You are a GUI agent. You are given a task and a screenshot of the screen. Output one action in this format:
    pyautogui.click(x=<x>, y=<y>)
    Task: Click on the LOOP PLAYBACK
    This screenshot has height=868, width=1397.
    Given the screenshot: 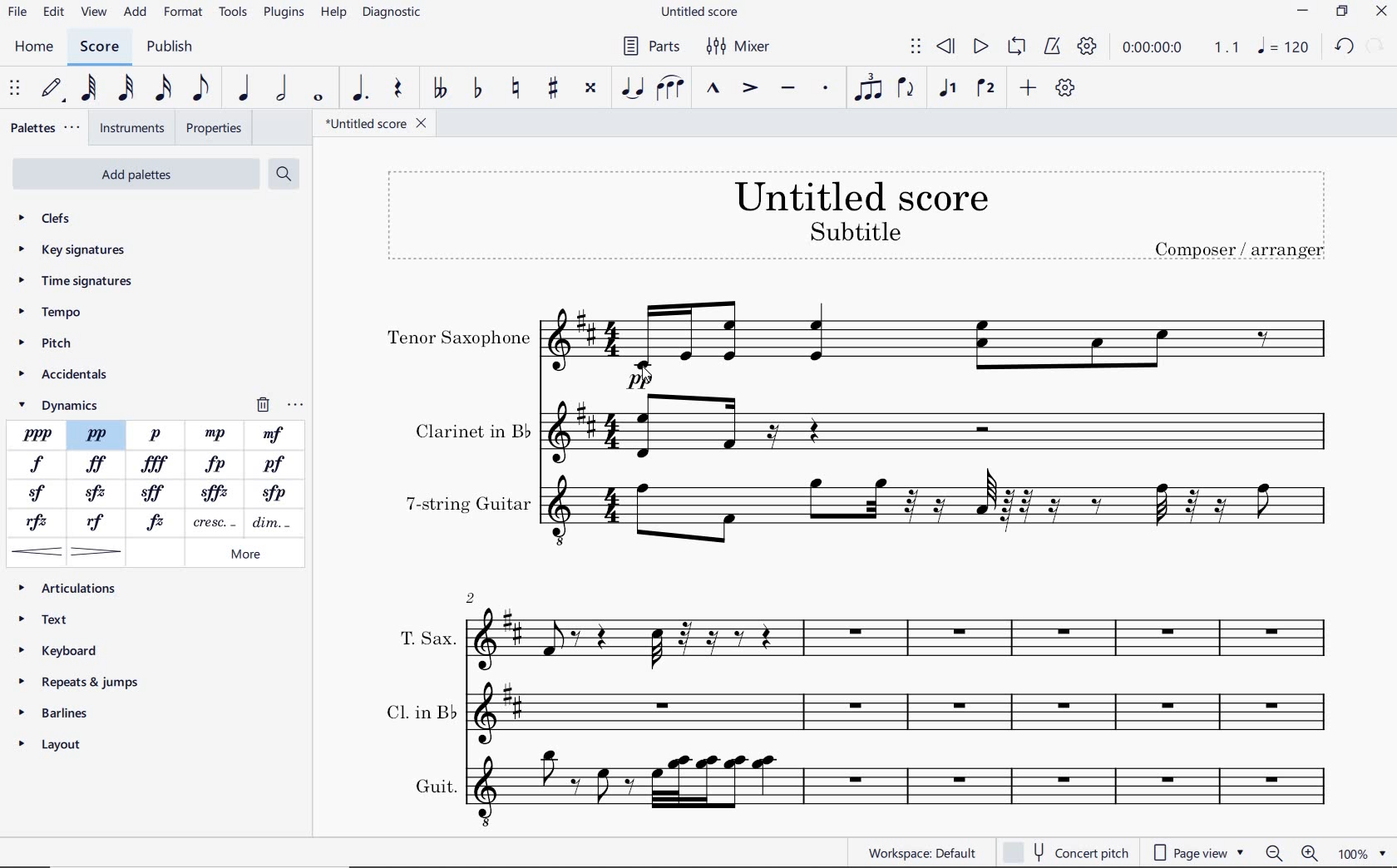 What is the action you would take?
    pyautogui.click(x=1019, y=47)
    